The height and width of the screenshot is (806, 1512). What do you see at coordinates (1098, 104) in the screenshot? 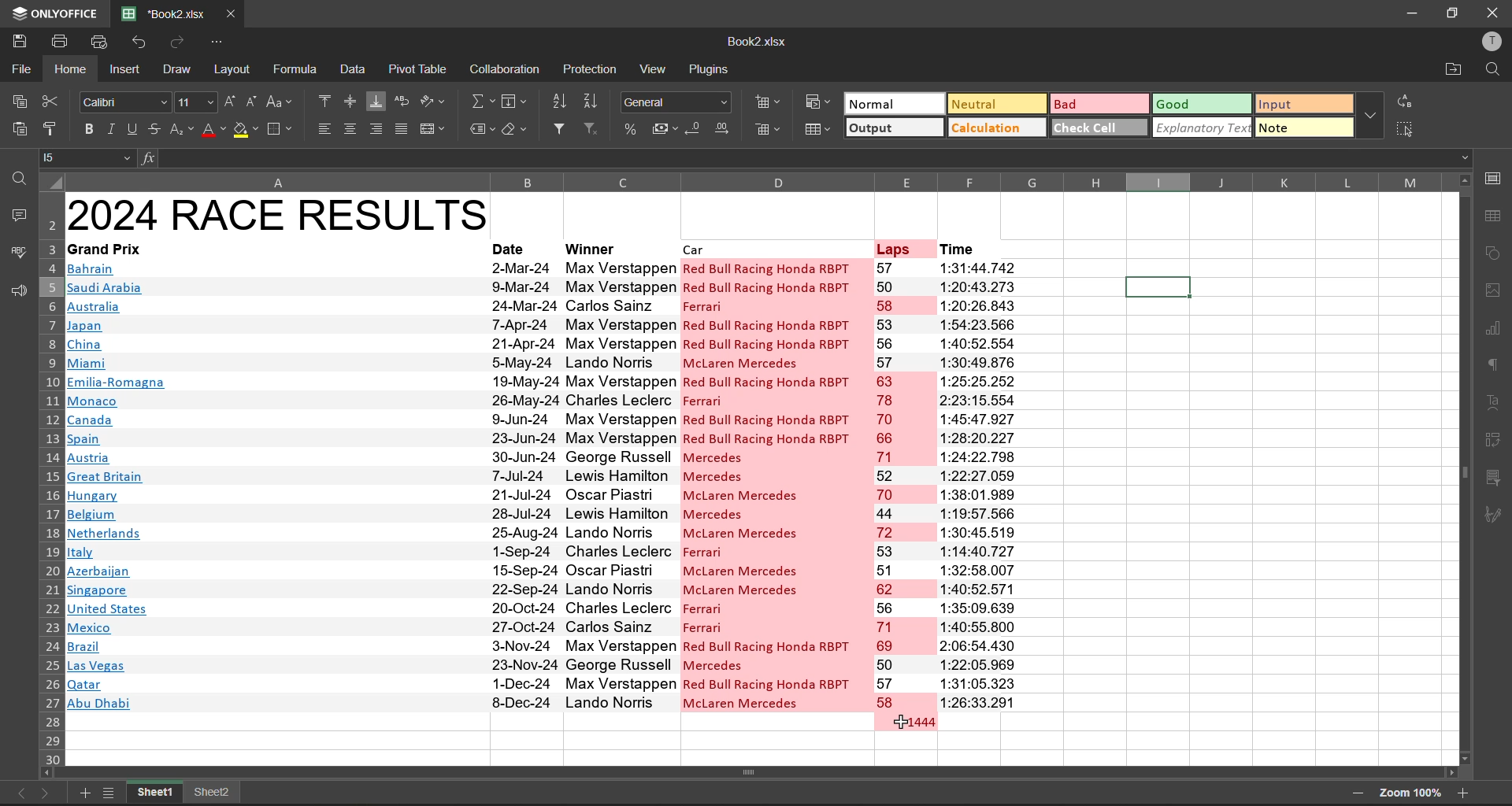
I see `bad` at bounding box center [1098, 104].